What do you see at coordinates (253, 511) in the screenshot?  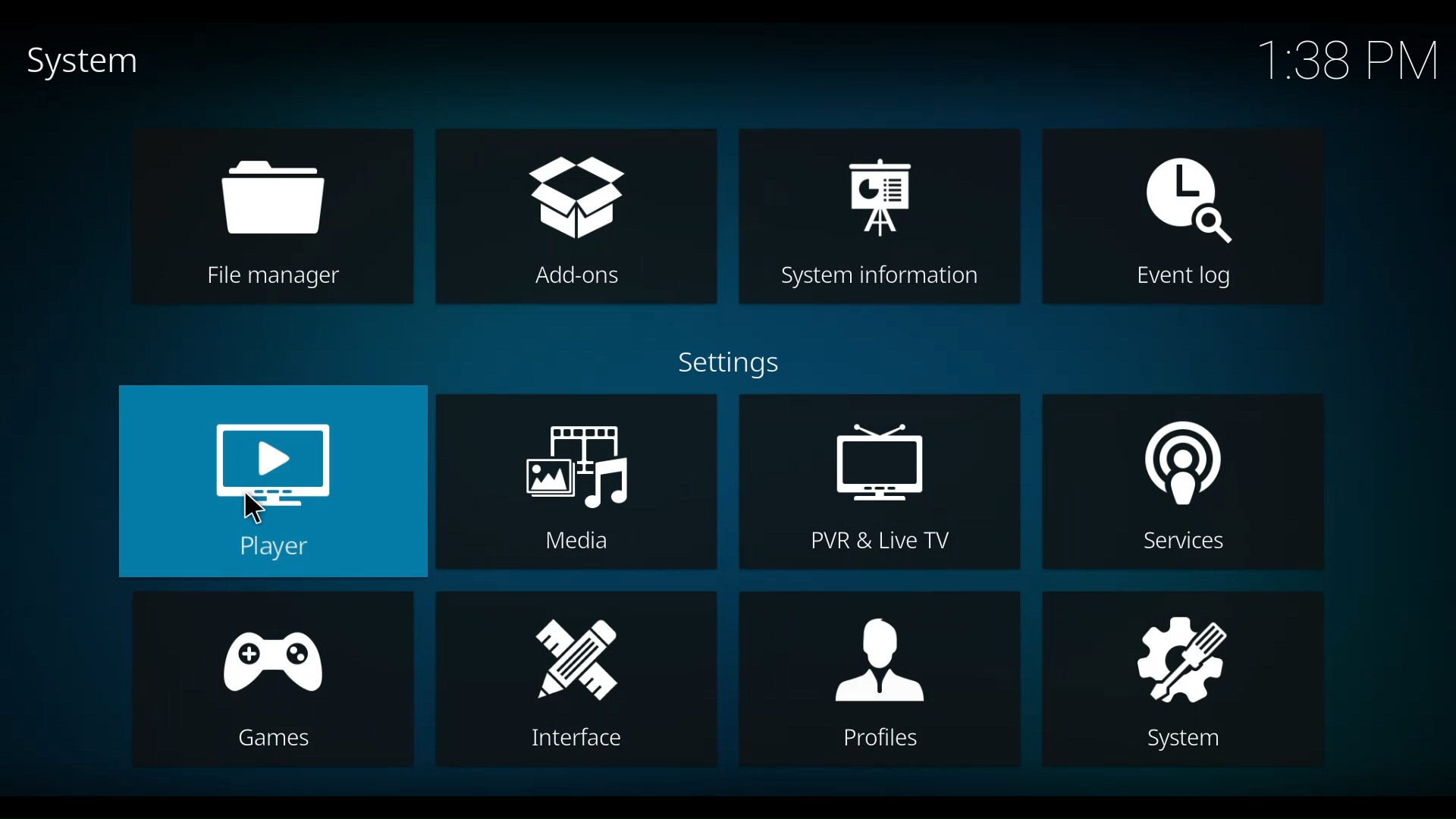 I see `Cursor` at bounding box center [253, 511].